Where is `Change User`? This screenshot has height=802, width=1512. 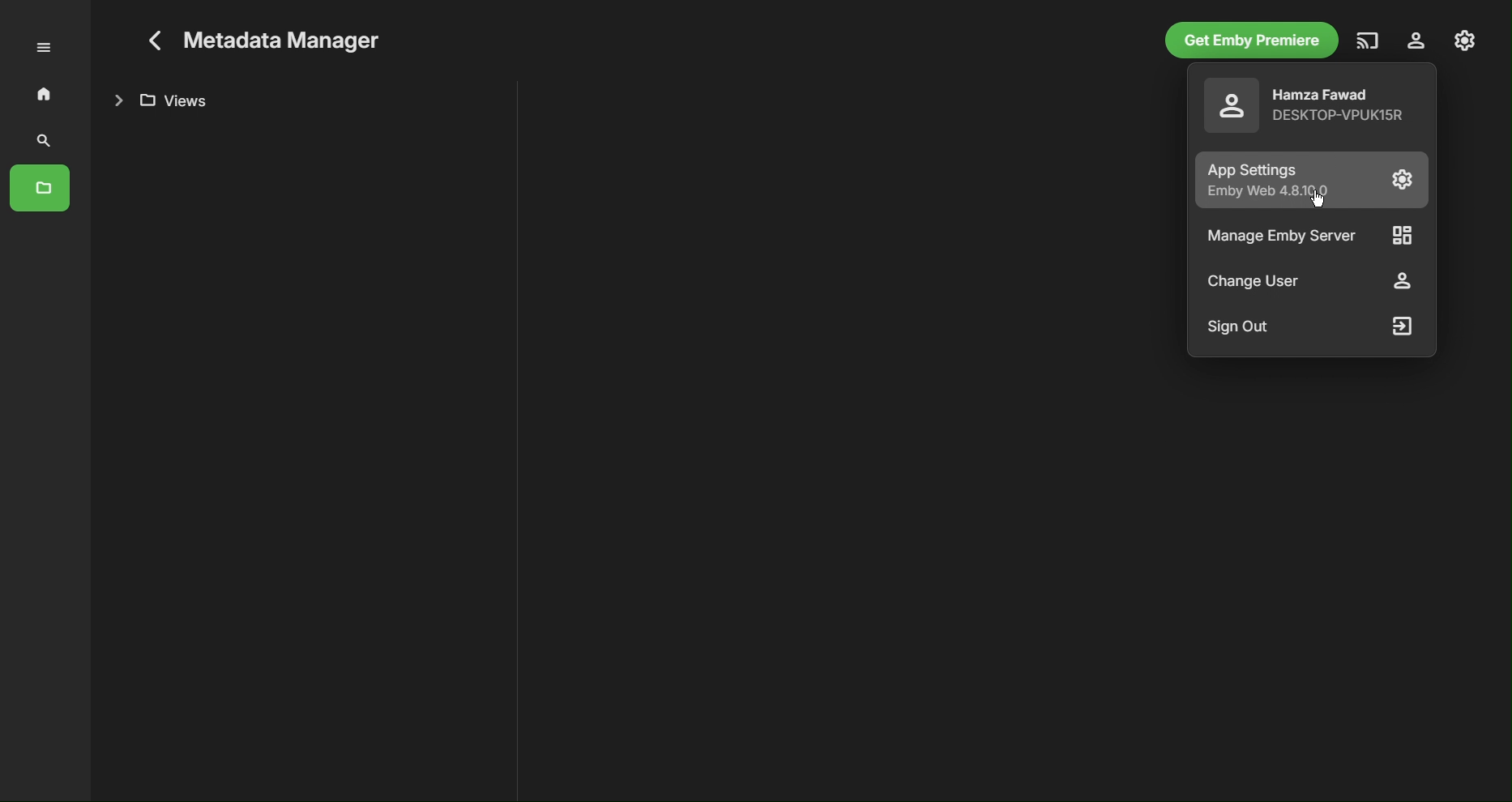
Change User is located at coordinates (1313, 286).